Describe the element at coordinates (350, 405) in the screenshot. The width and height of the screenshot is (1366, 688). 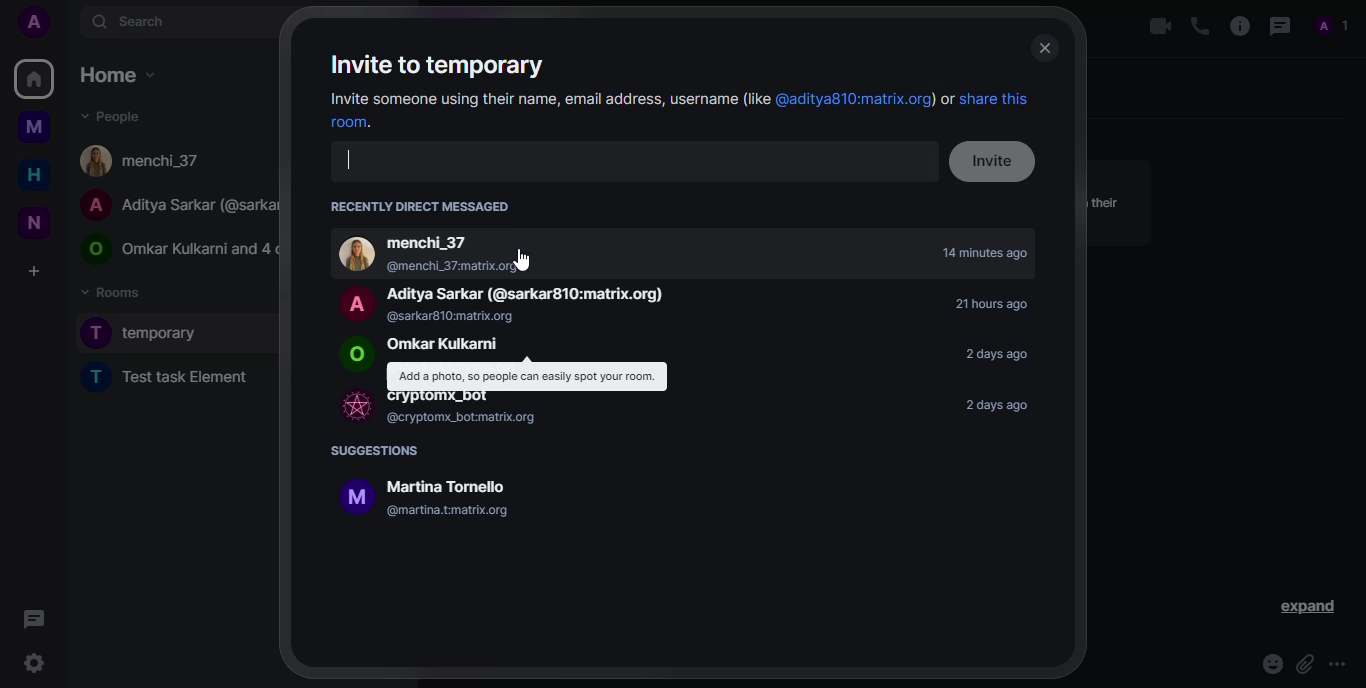
I see `bot` at that location.